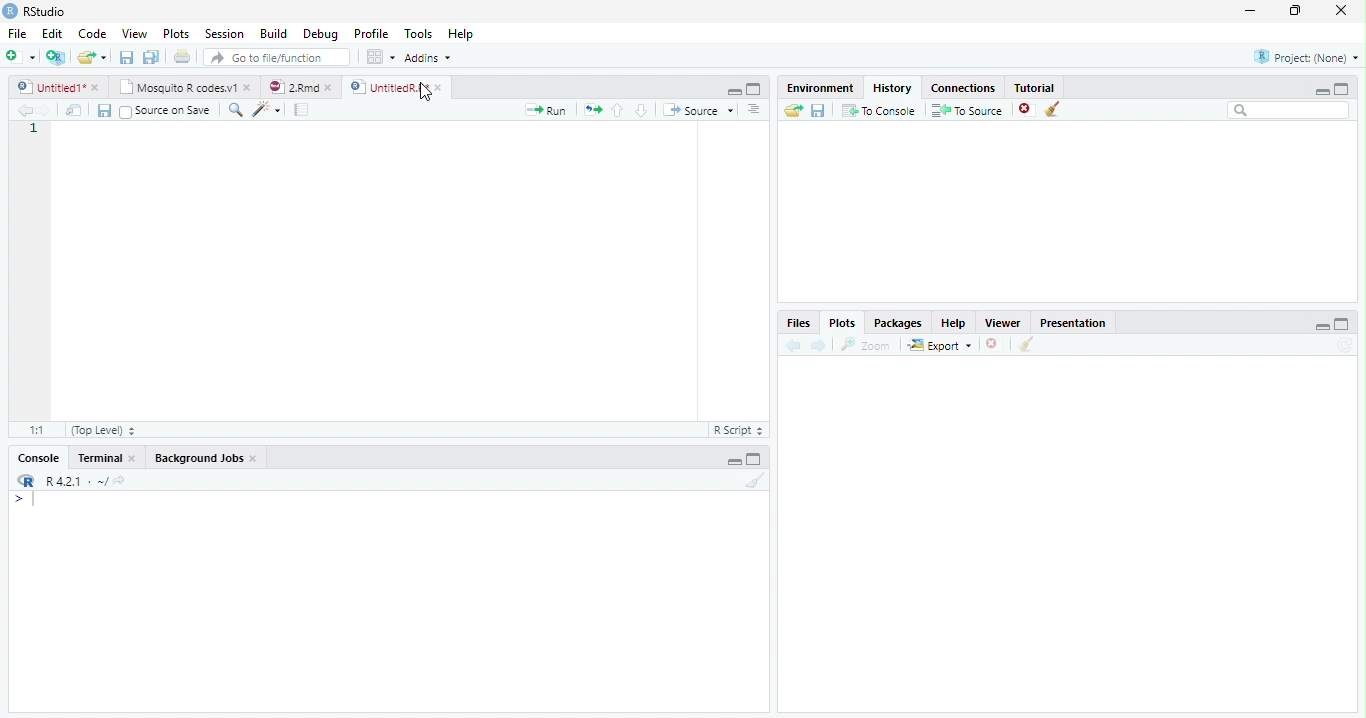 This screenshot has width=1366, height=718. Describe the element at coordinates (184, 87) in the screenshot. I see `Mosquito R codes` at that location.